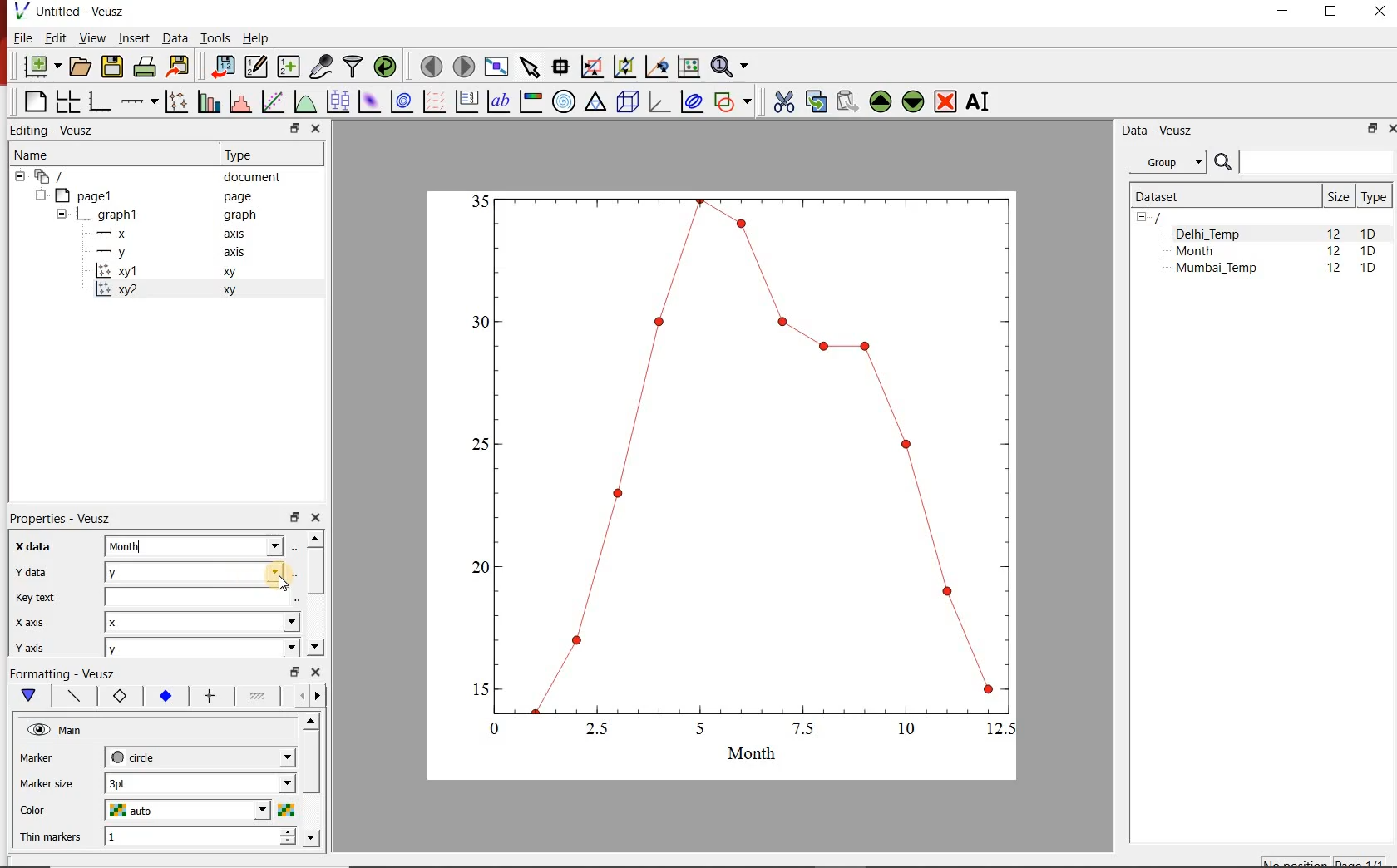 Image resolution: width=1397 pixels, height=868 pixels. What do you see at coordinates (206, 102) in the screenshot?
I see `plot bar charts` at bounding box center [206, 102].